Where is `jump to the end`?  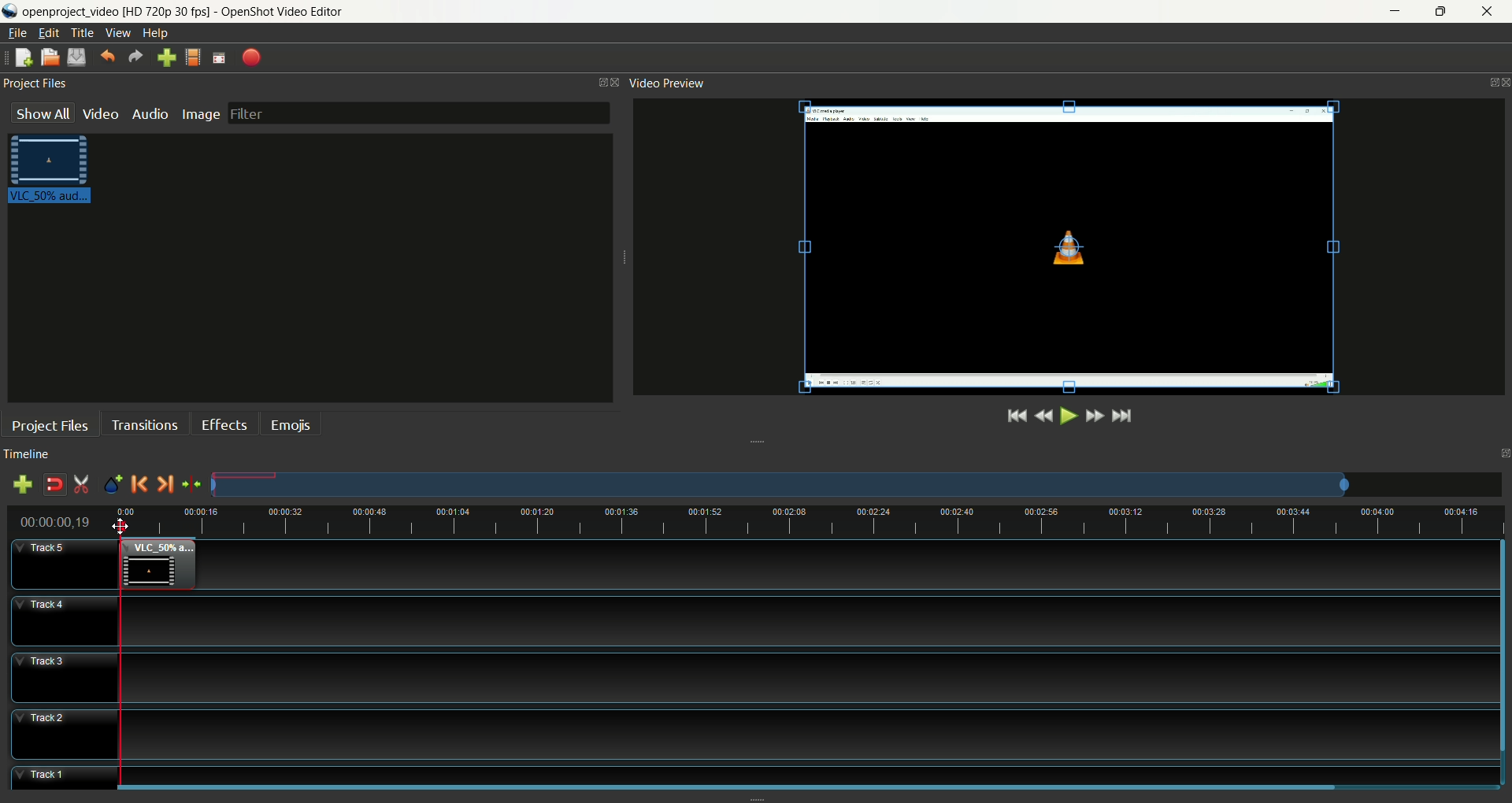 jump to the end is located at coordinates (1122, 416).